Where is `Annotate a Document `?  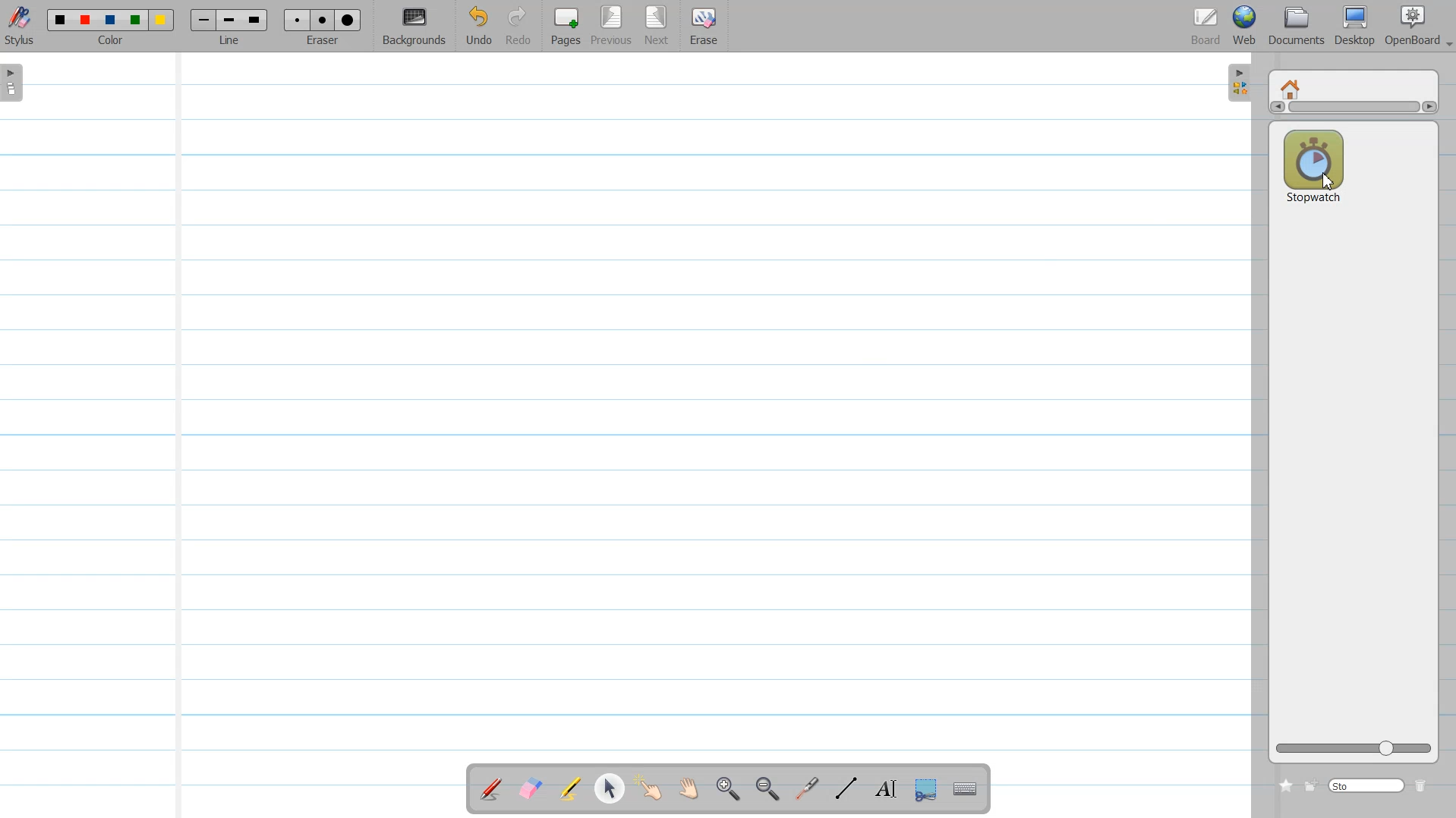 Annotate a Document  is located at coordinates (491, 788).